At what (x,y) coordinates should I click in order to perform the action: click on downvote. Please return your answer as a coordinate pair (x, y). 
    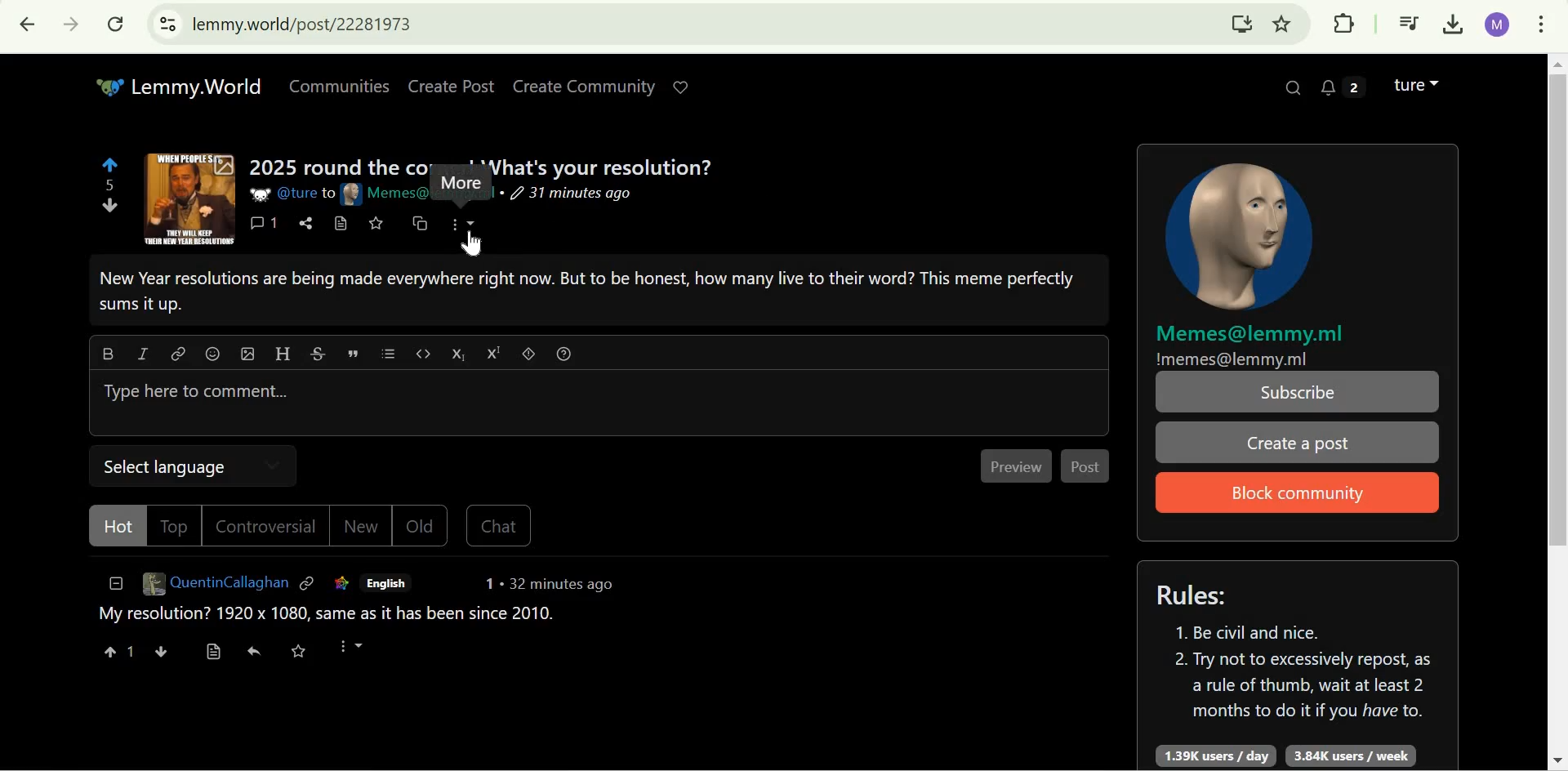
    Looking at the image, I should click on (112, 206).